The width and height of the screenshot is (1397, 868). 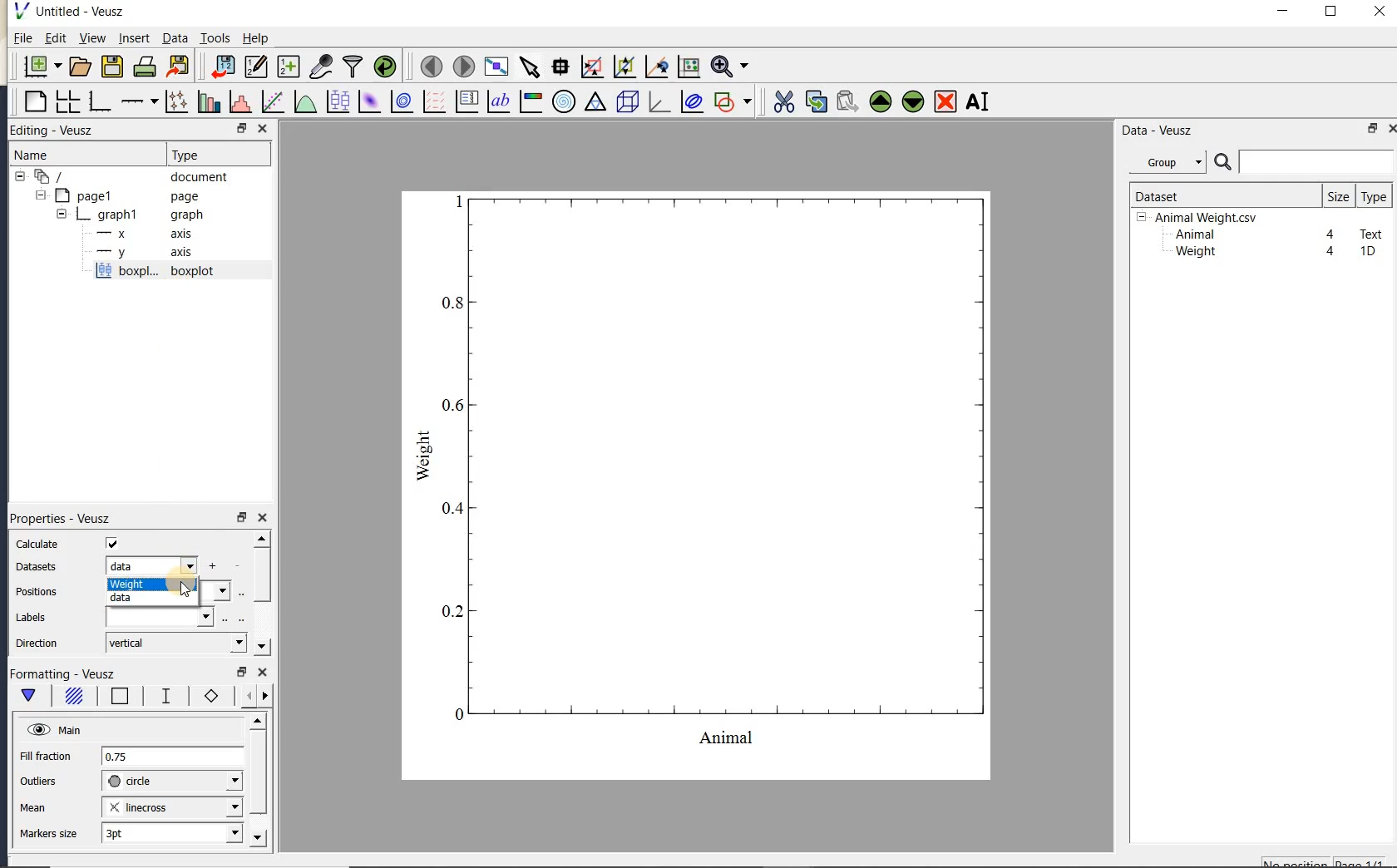 What do you see at coordinates (560, 67) in the screenshot?
I see `read data points on the graph` at bounding box center [560, 67].